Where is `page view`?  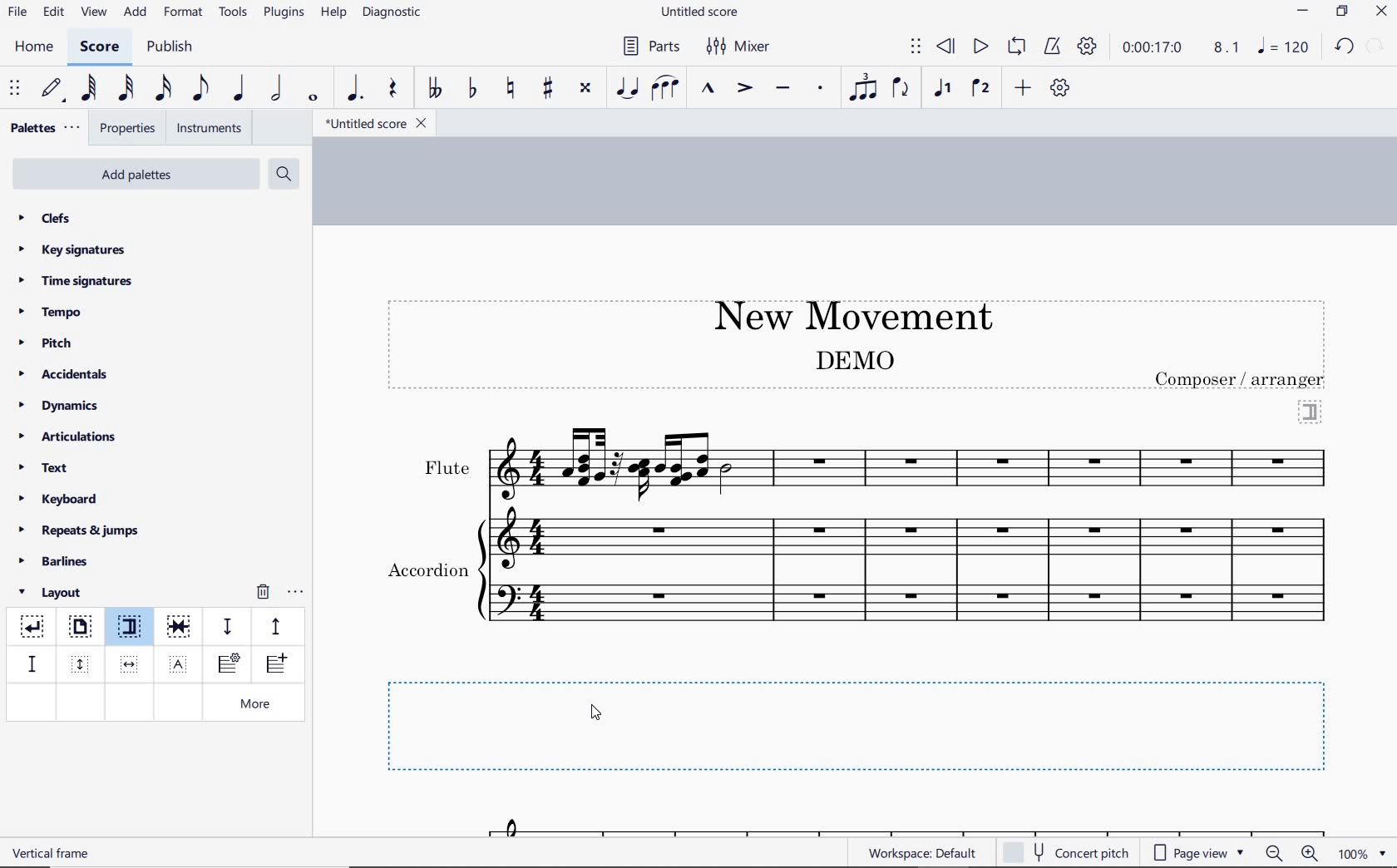
page view is located at coordinates (1199, 853).